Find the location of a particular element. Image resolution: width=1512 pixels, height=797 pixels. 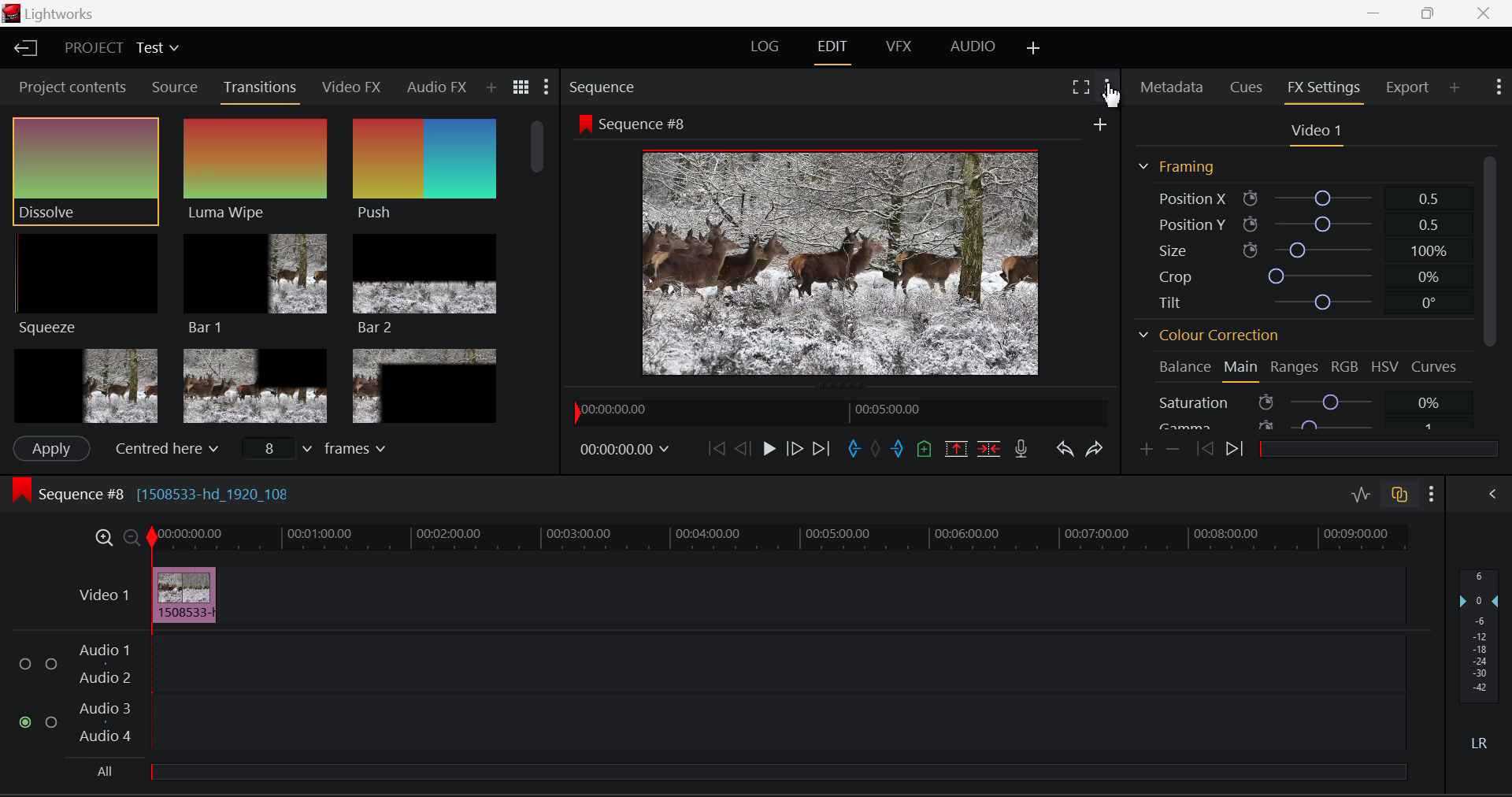

Bar 1 is located at coordinates (255, 281).